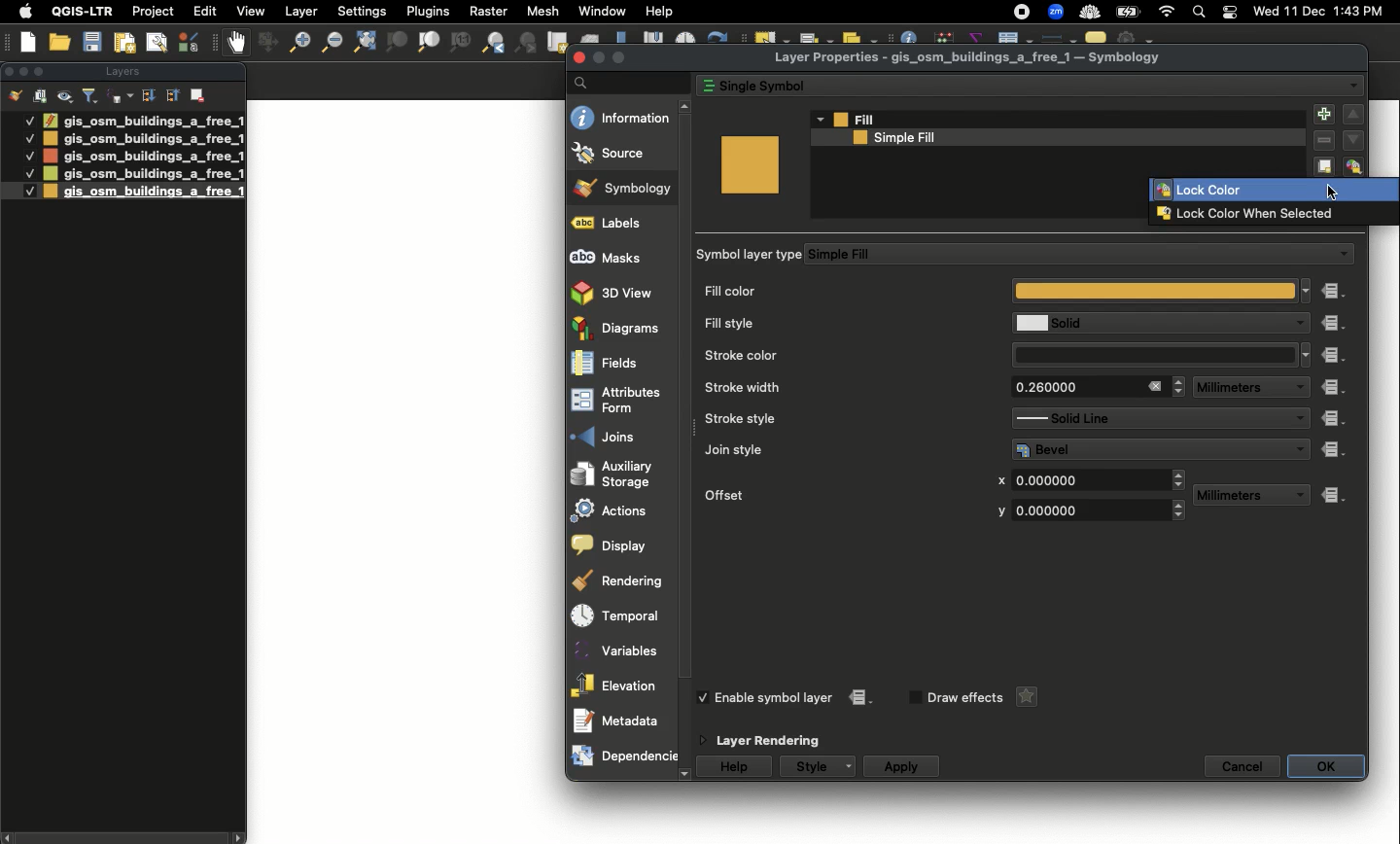 The image size is (1400, 844). I want to click on Drop down, so click(1179, 386).